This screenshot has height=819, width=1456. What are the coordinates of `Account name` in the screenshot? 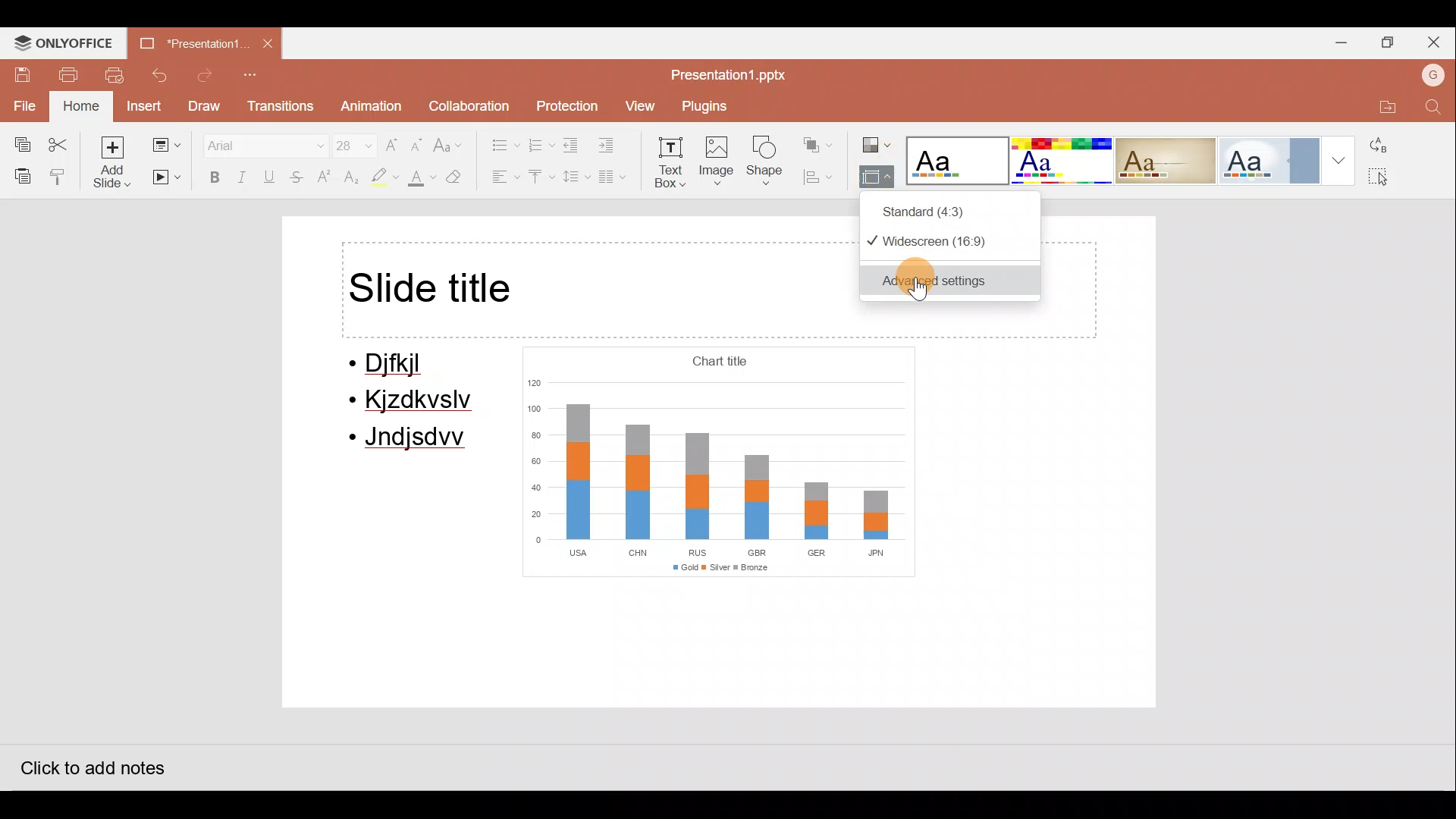 It's located at (1429, 74).